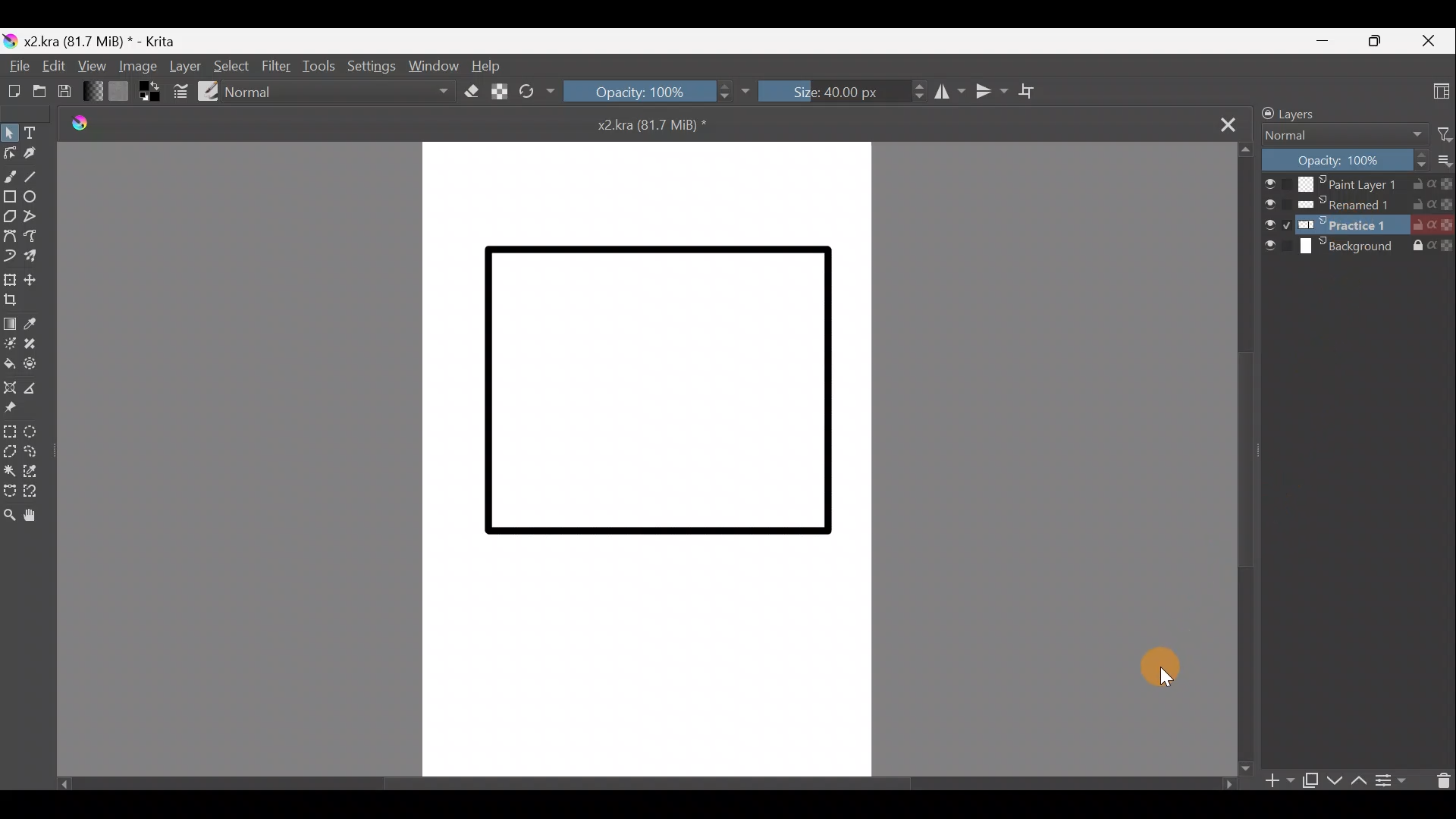 The height and width of the screenshot is (819, 1456). What do you see at coordinates (9, 367) in the screenshot?
I see `Fill a contiguous area of colour with colour/fill a selection` at bounding box center [9, 367].